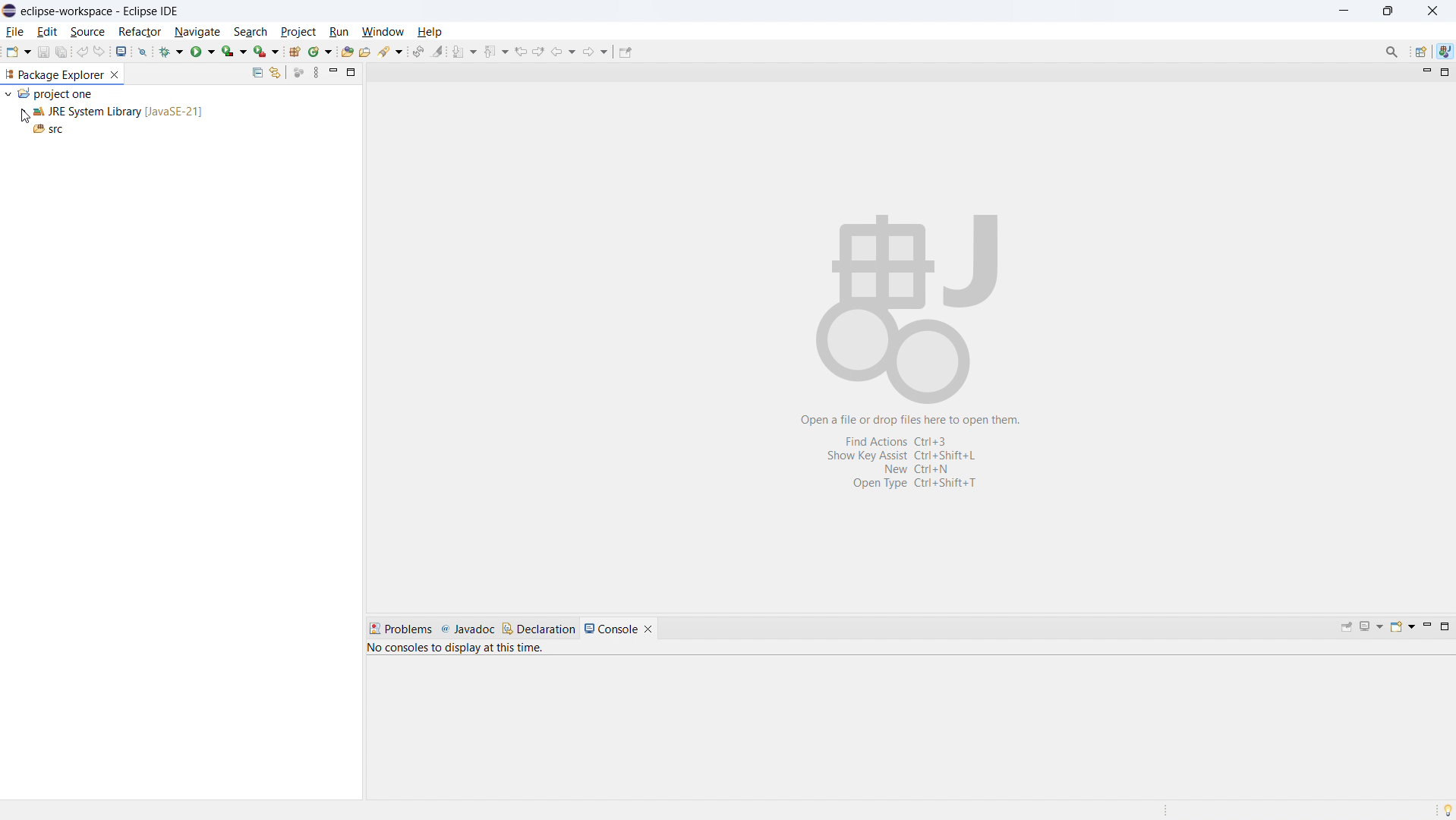 The image size is (1456, 820). Describe the element at coordinates (595, 50) in the screenshot. I see `forward` at that location.